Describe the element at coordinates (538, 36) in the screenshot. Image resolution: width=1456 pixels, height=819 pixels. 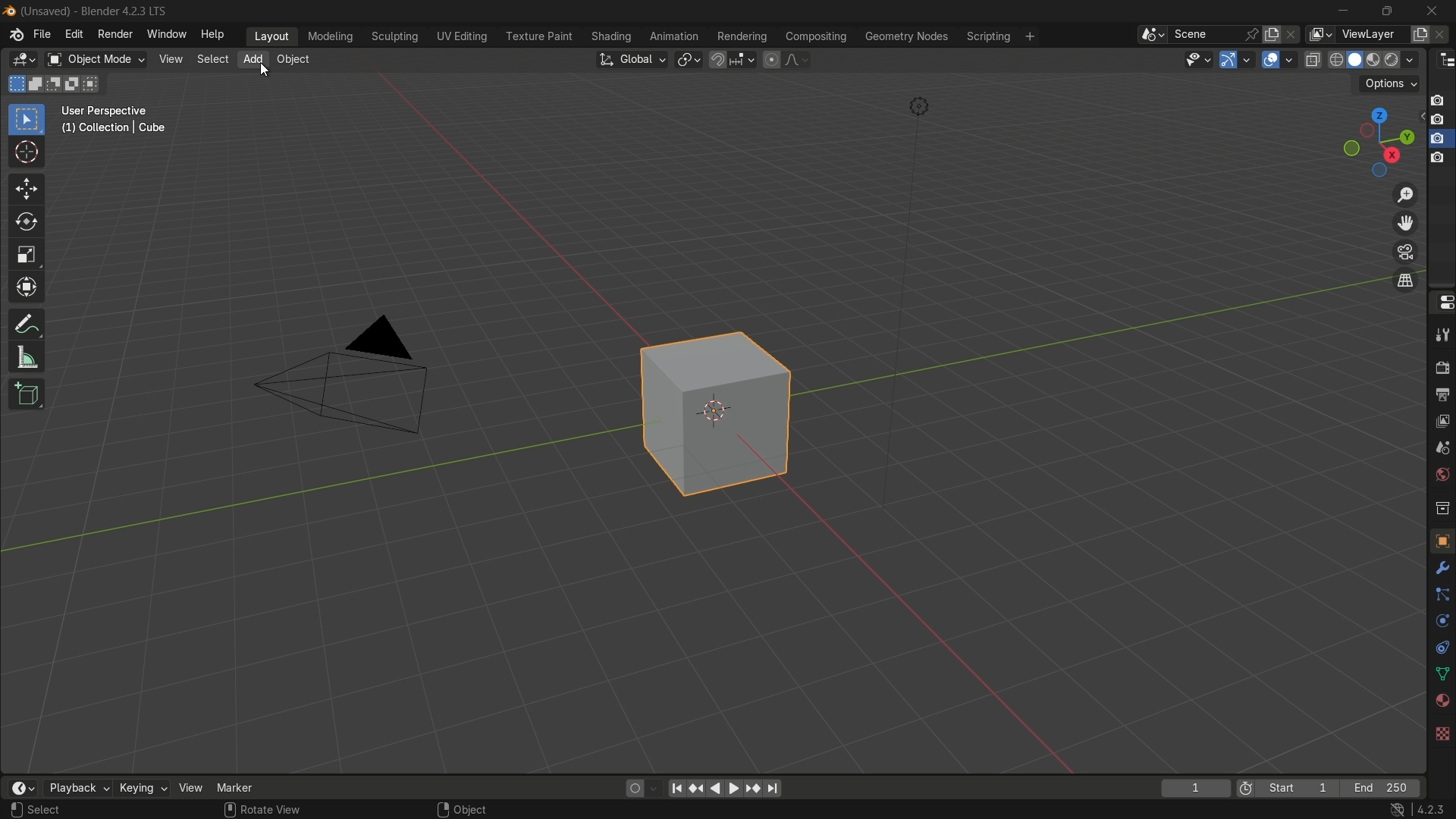
I see `texture paint` at that location.